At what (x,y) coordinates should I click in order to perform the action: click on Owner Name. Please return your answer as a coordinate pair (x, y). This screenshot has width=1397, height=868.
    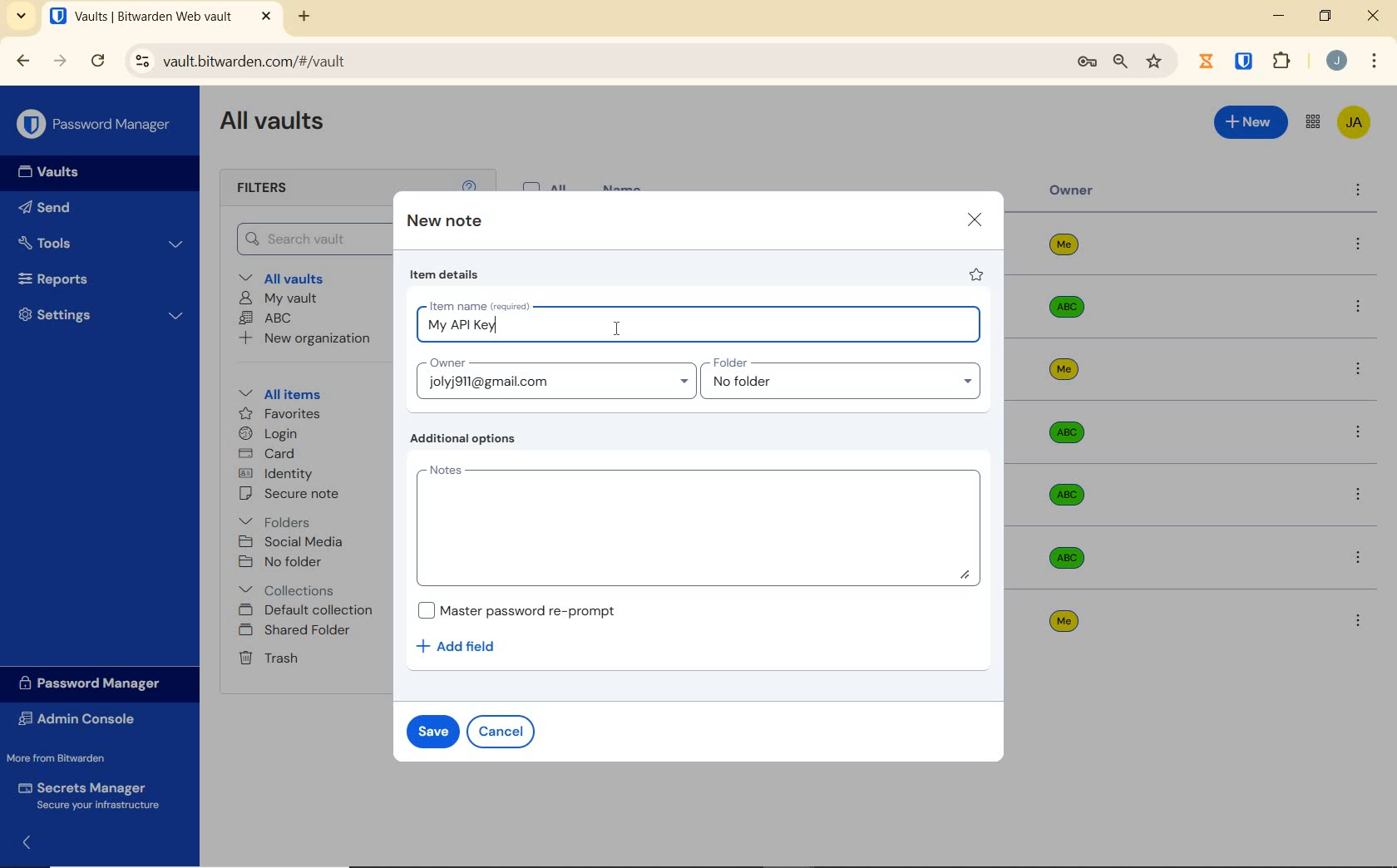
    Looking at the image, I should click on (1064, 433).